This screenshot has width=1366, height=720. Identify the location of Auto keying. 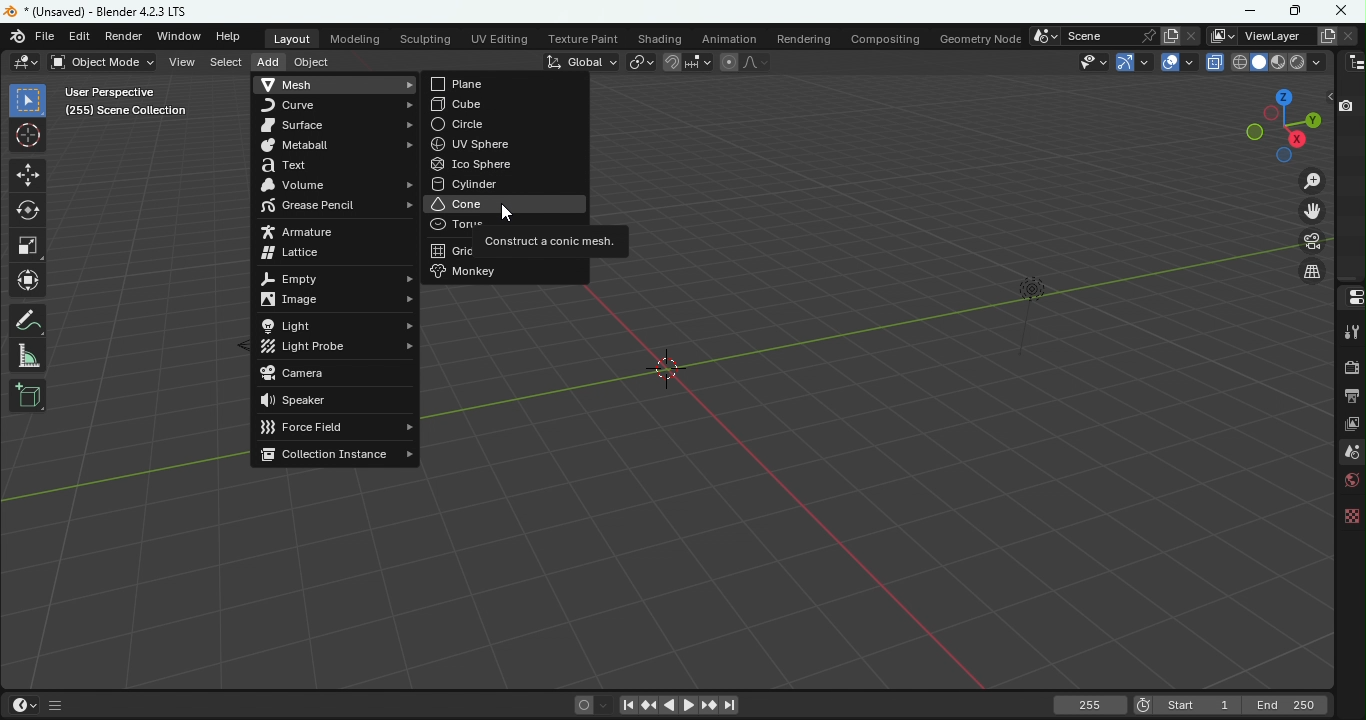
(582, 705).